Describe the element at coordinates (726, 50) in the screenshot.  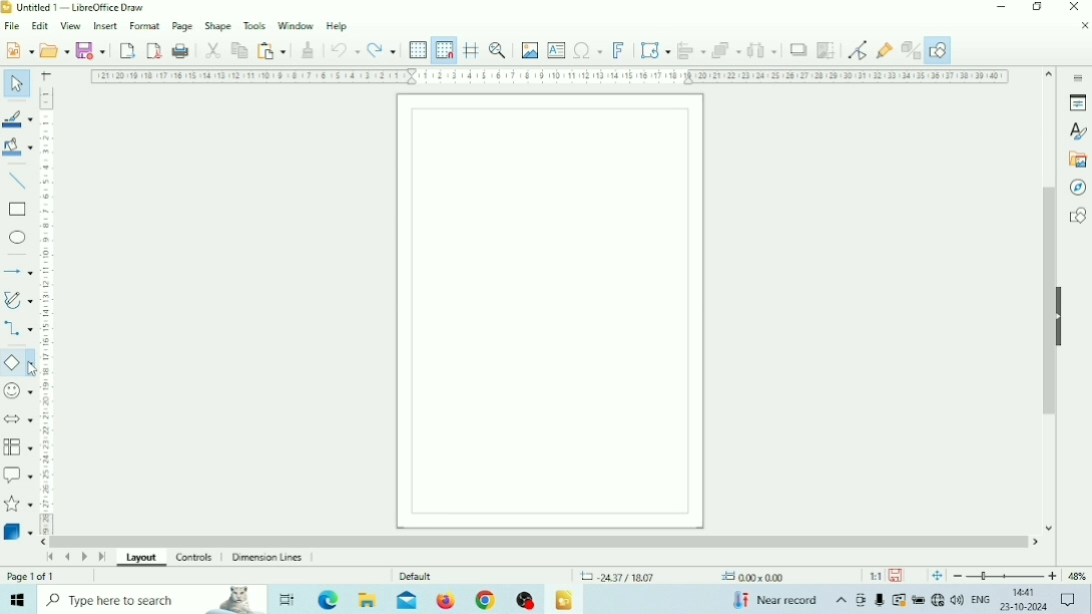
I see `Arrange` at that location.